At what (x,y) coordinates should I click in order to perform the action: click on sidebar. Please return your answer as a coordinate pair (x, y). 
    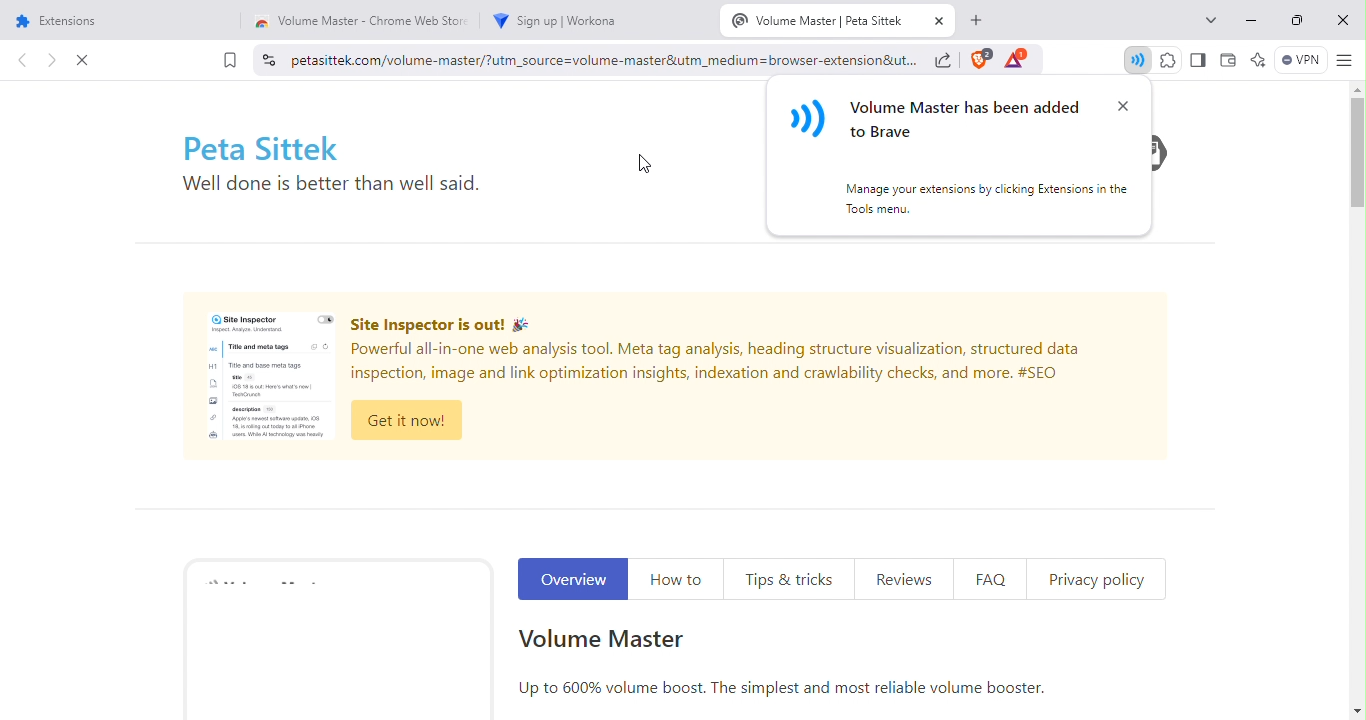
    Looking at the image, I should click on (1197, 60).